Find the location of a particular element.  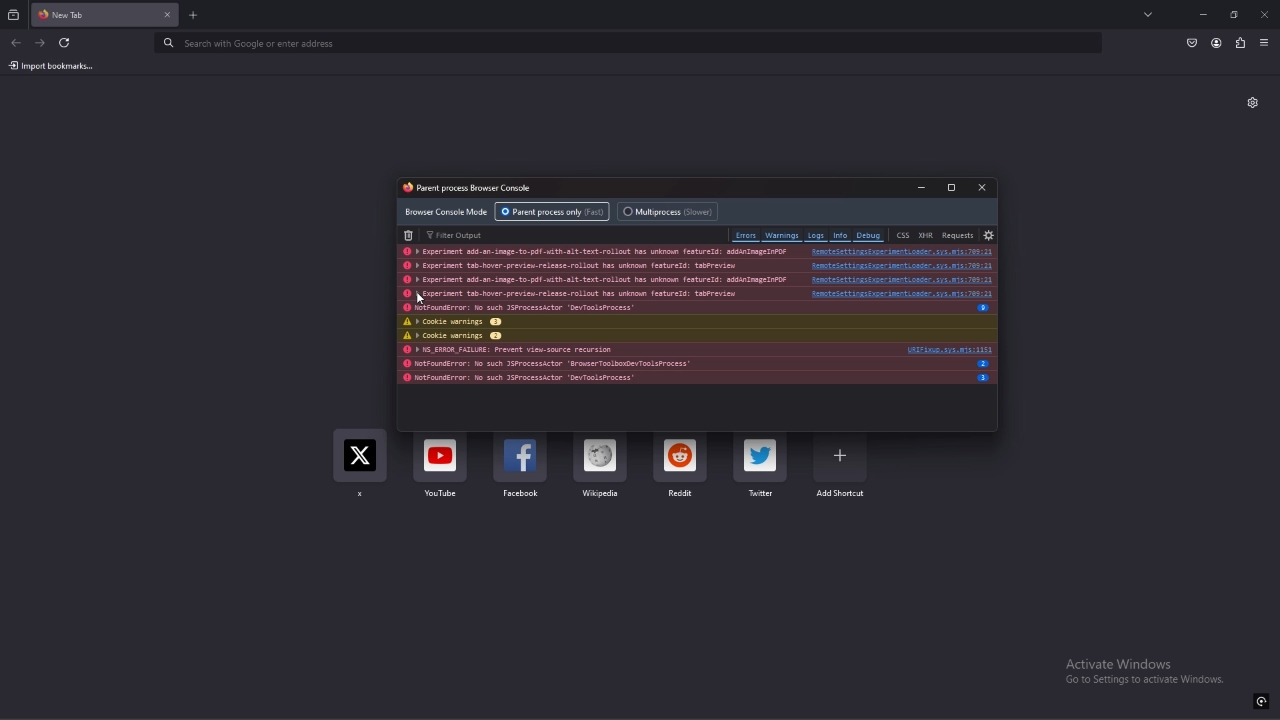

log is located at coordinates (593, 266).